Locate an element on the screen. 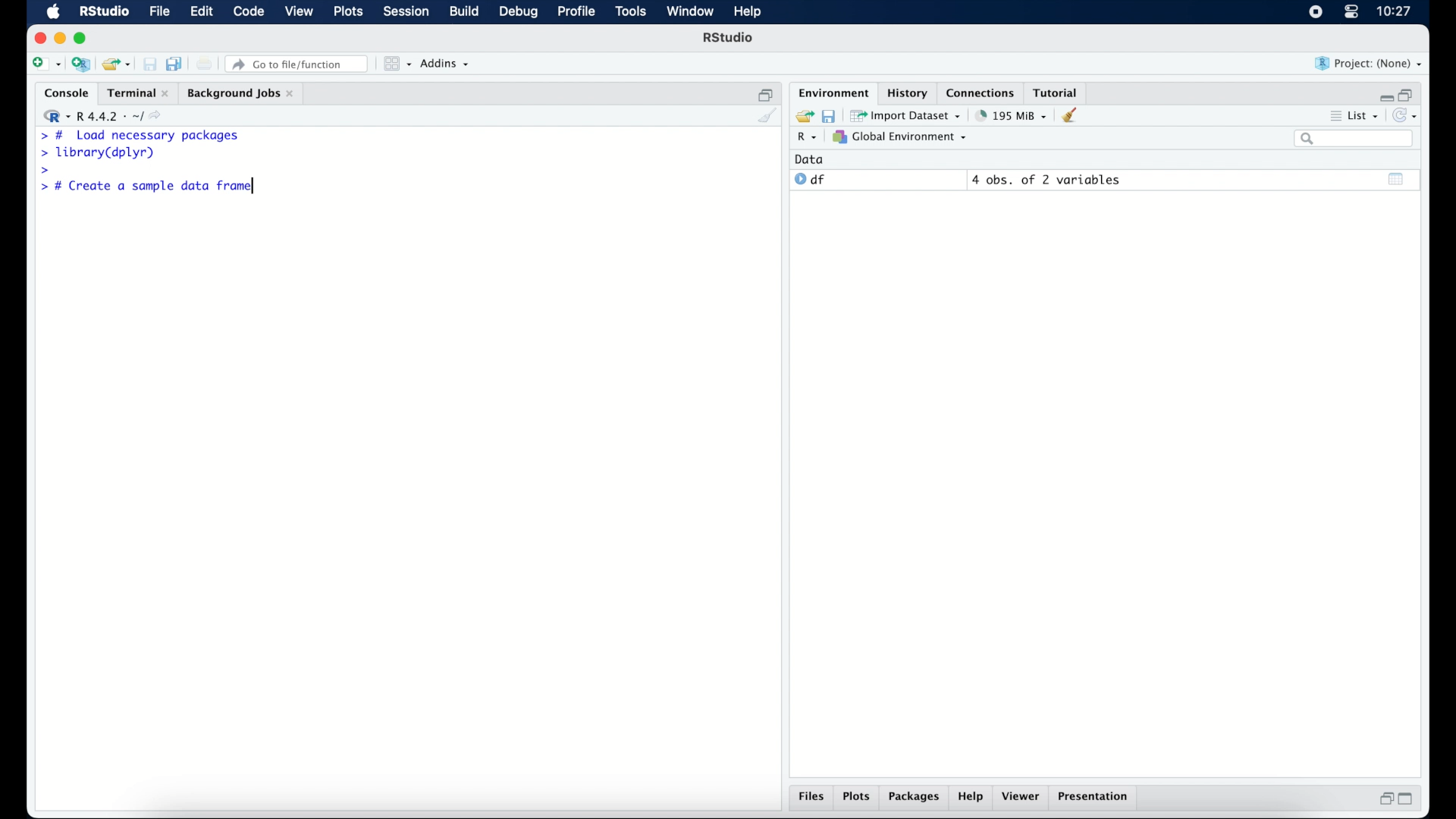 The width and height of the screenshot is (1456, 819). files is located at coordinates (811, 799).